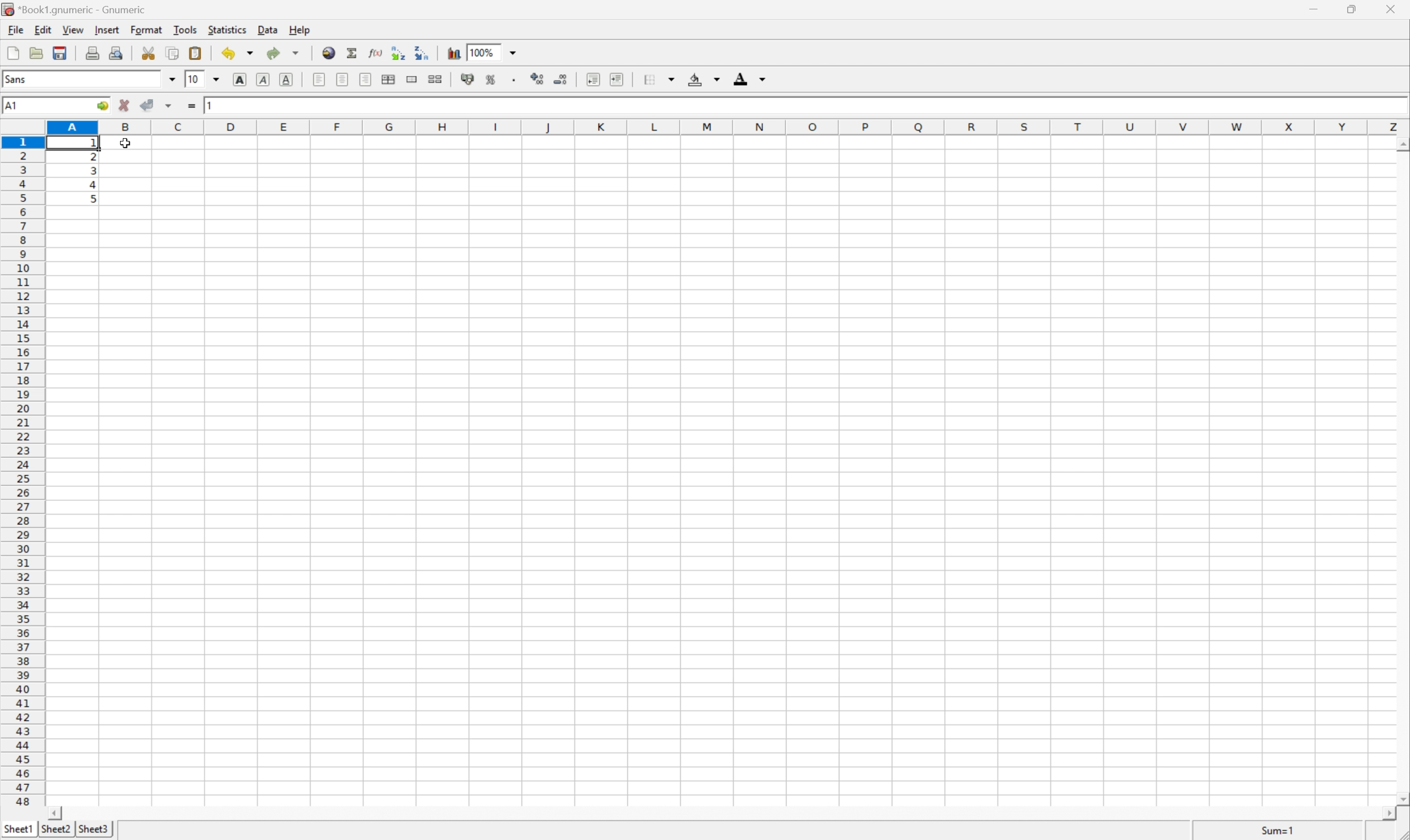 The image size is (1410, 840). I want to click on 3, so click(93, 170).